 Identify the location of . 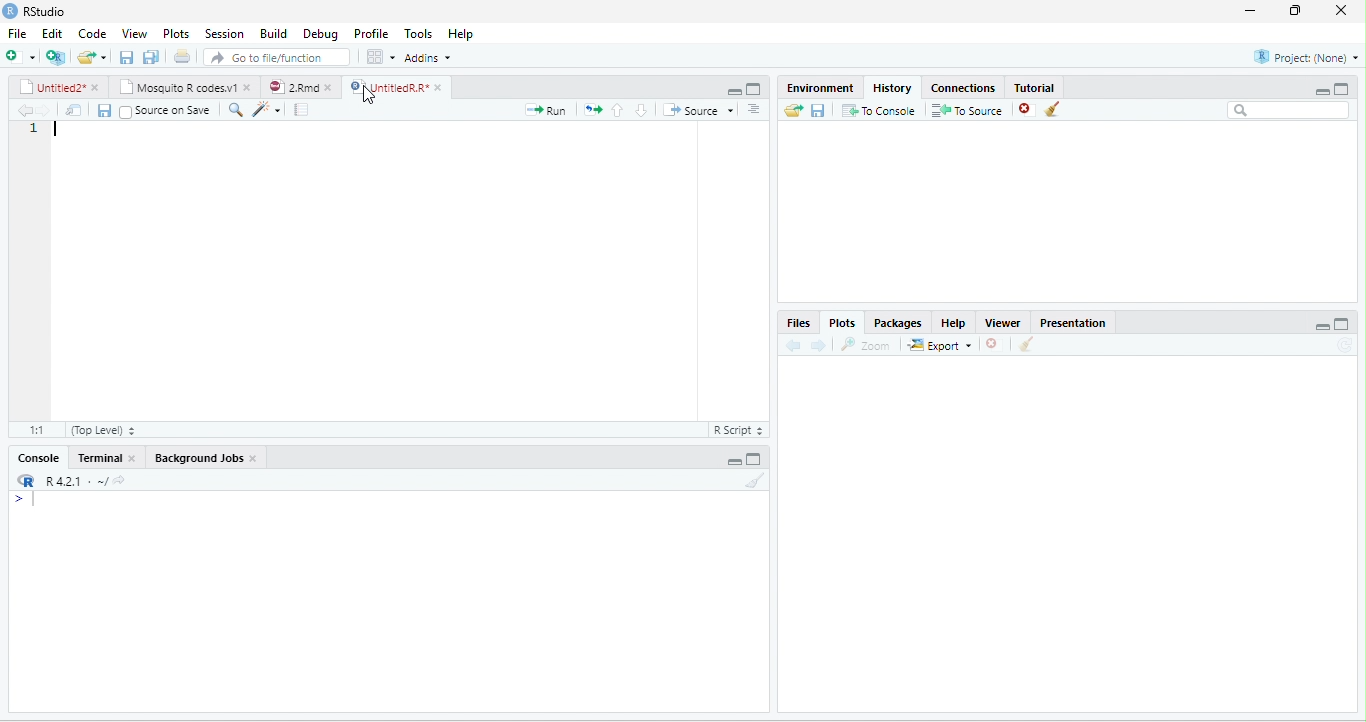
(644, 108).